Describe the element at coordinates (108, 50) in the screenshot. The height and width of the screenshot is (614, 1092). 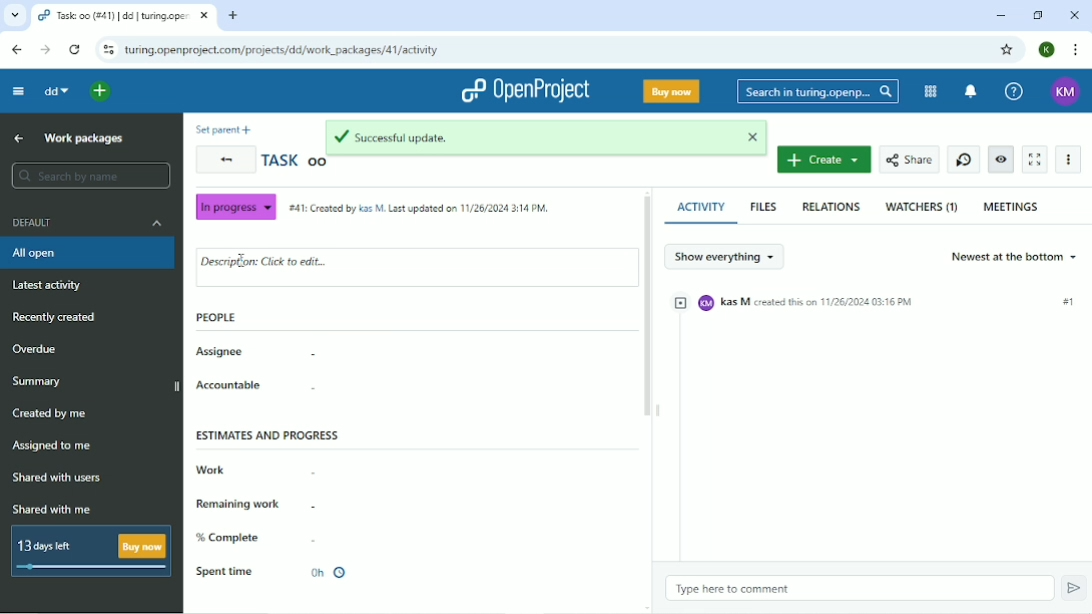
I see `View site information` at that location.